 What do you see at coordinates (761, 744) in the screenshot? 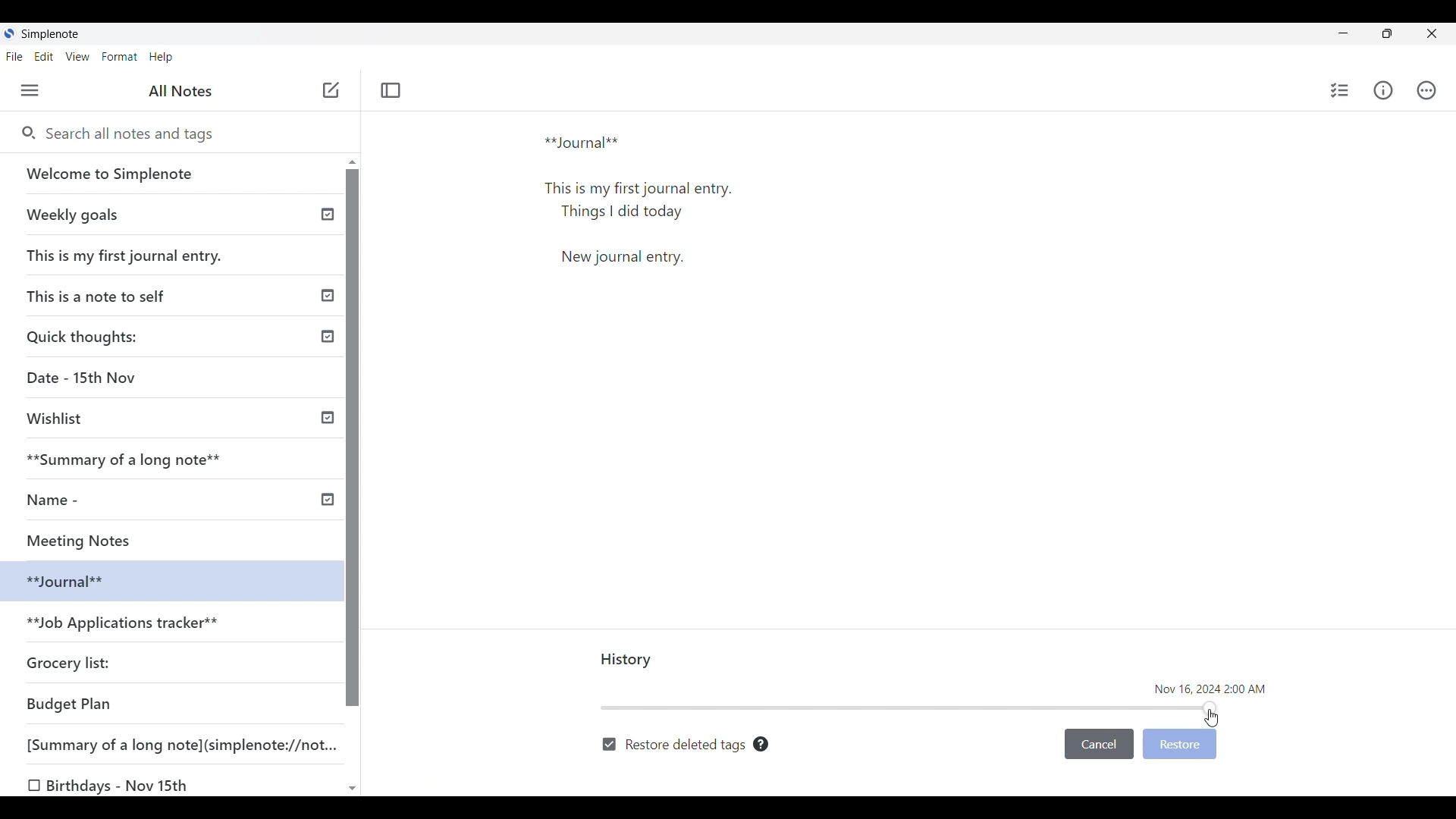
I see `Description of toggle next to it` at bounding box center [761, 744].